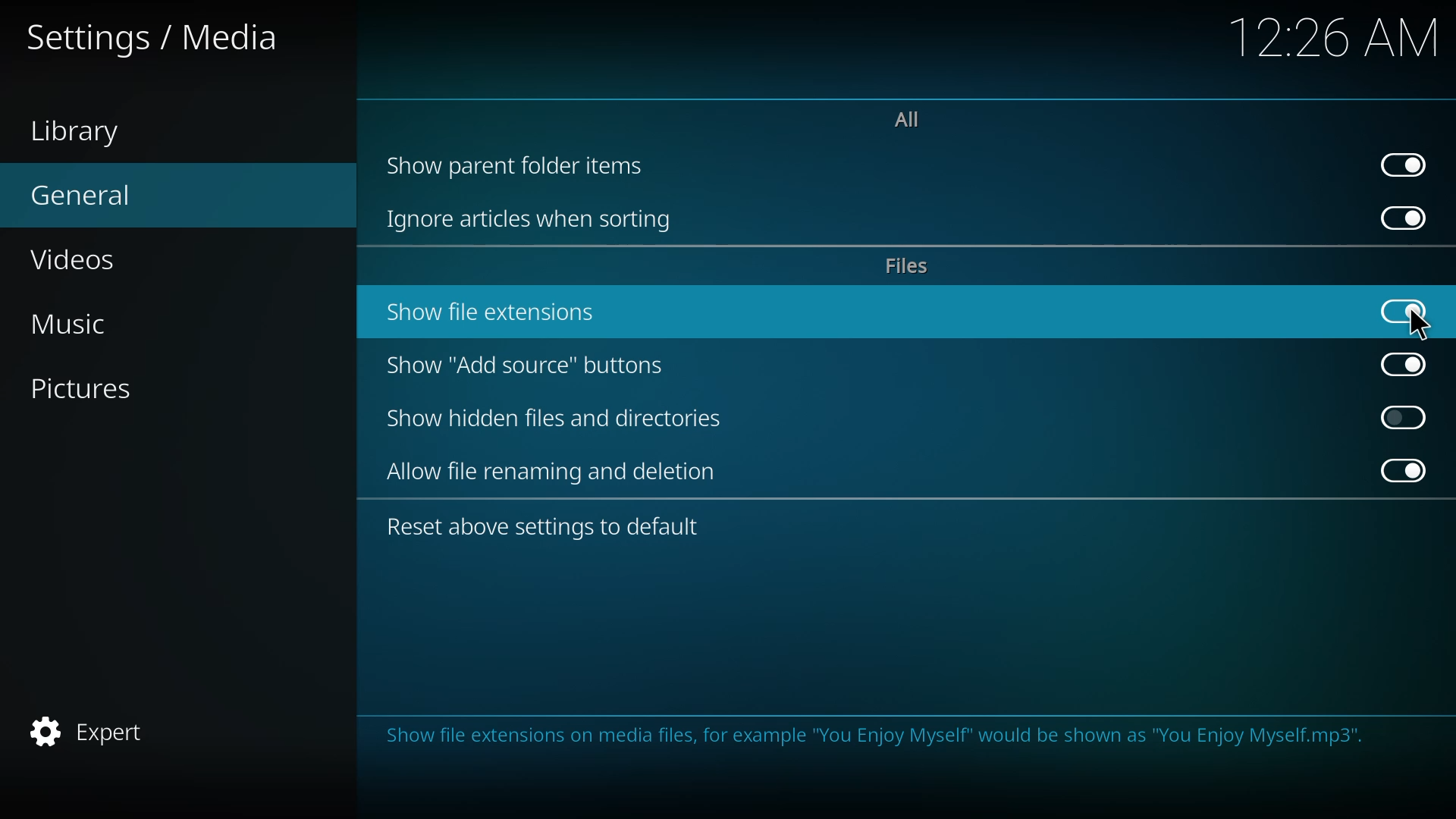 The height and width of the screenshot is (819, 1456). Describe the element at coordinates (162, 39) in the screenshot. I see `settings media` at that location.